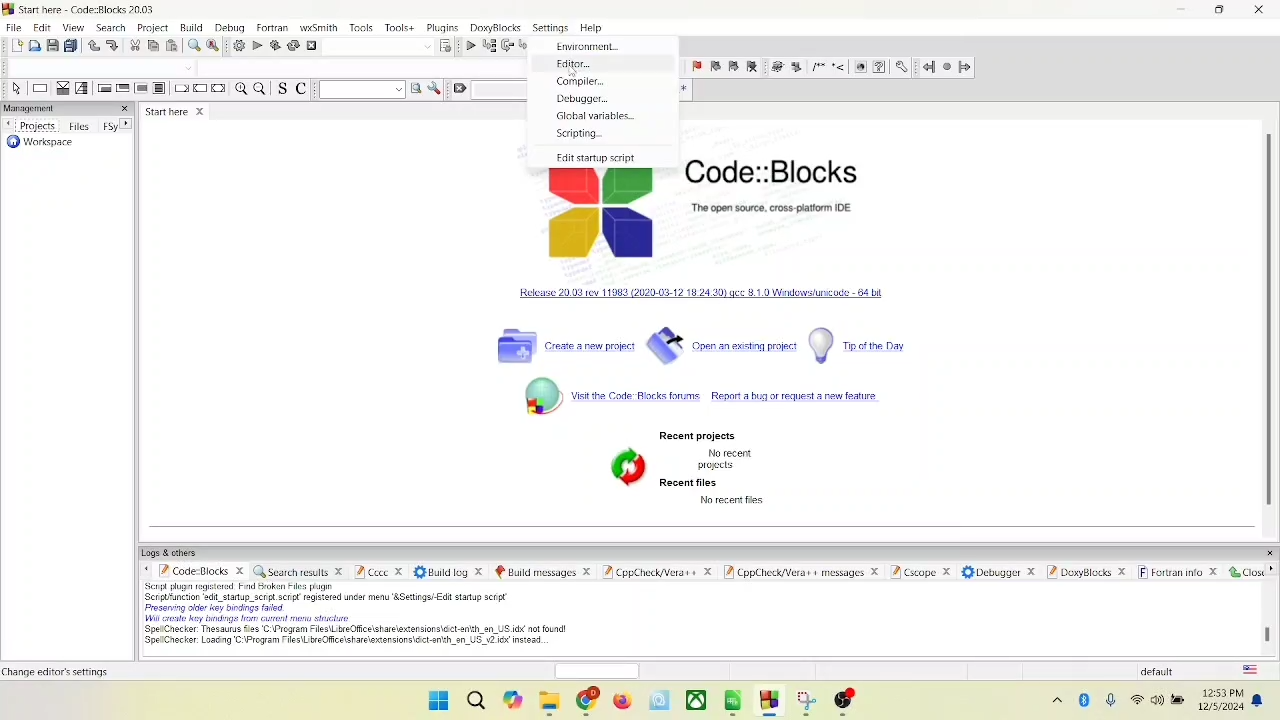  I want to click on fortan info, so click(1175, 571).